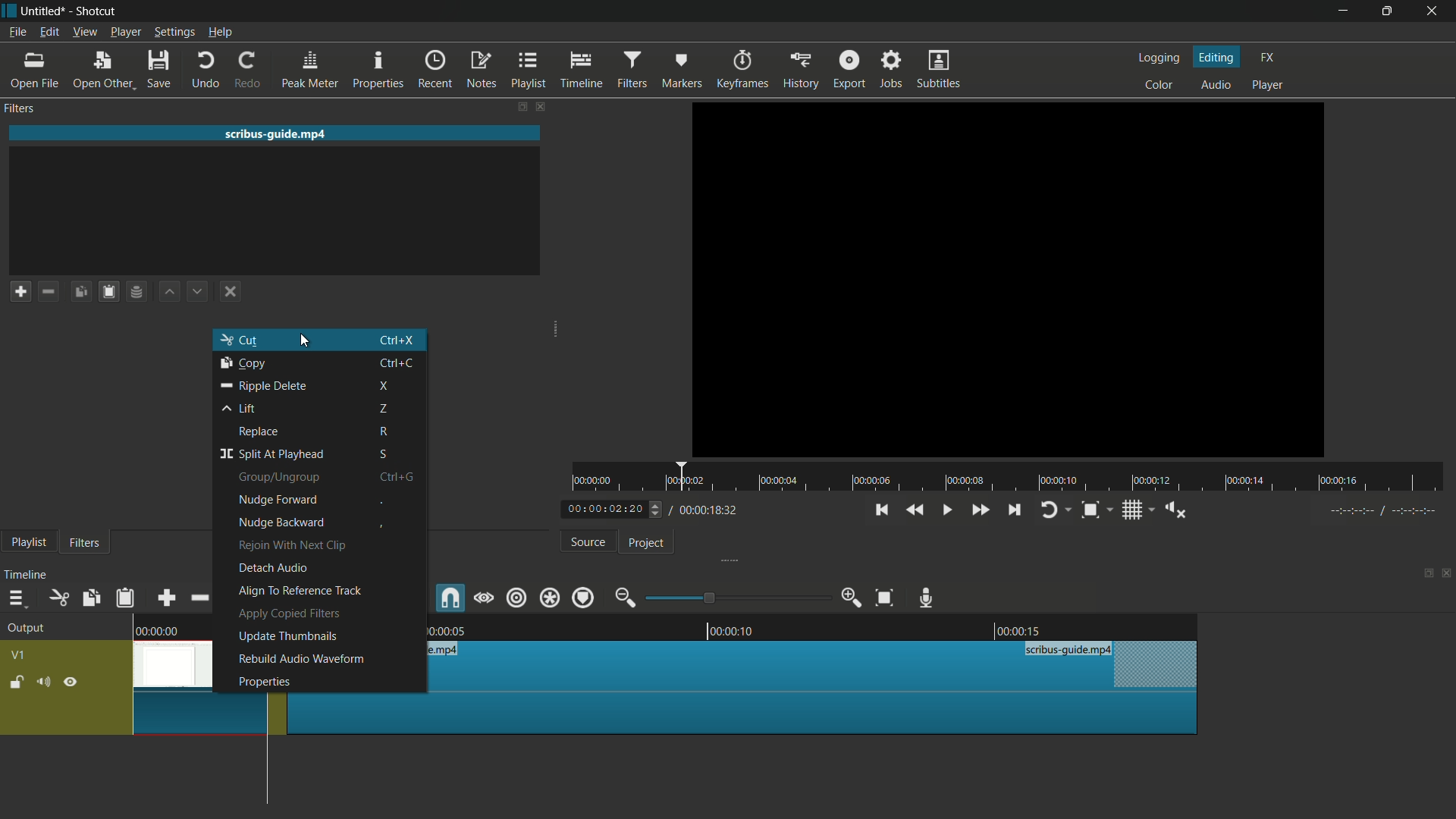 The width and height of the screenshot is (1456, 819). What do you see at coordinates (26, 543) in the screenshot?
I see `playlist` at bounding box center [26, 543].